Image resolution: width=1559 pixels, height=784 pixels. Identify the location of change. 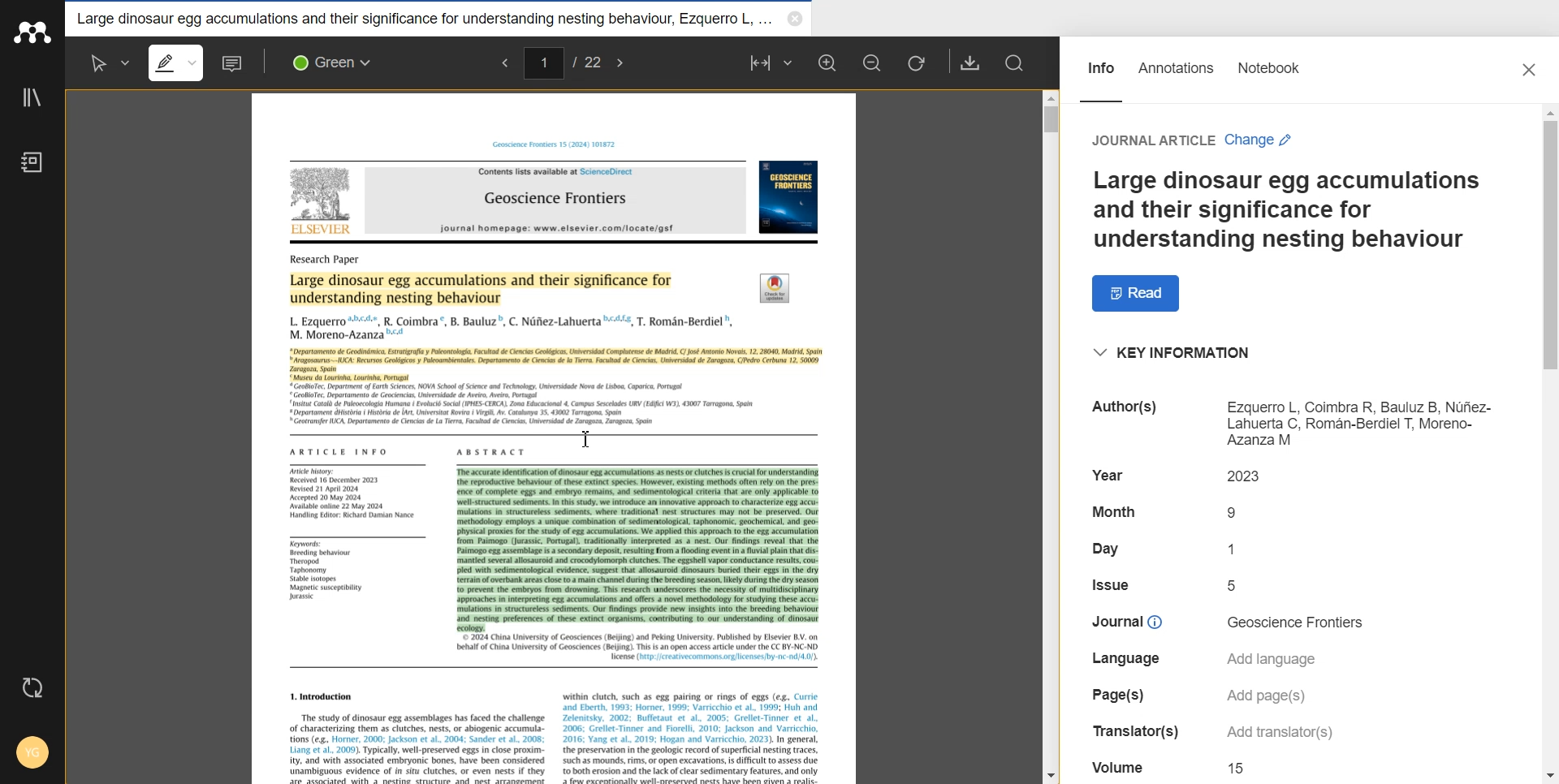
(1259, 140).